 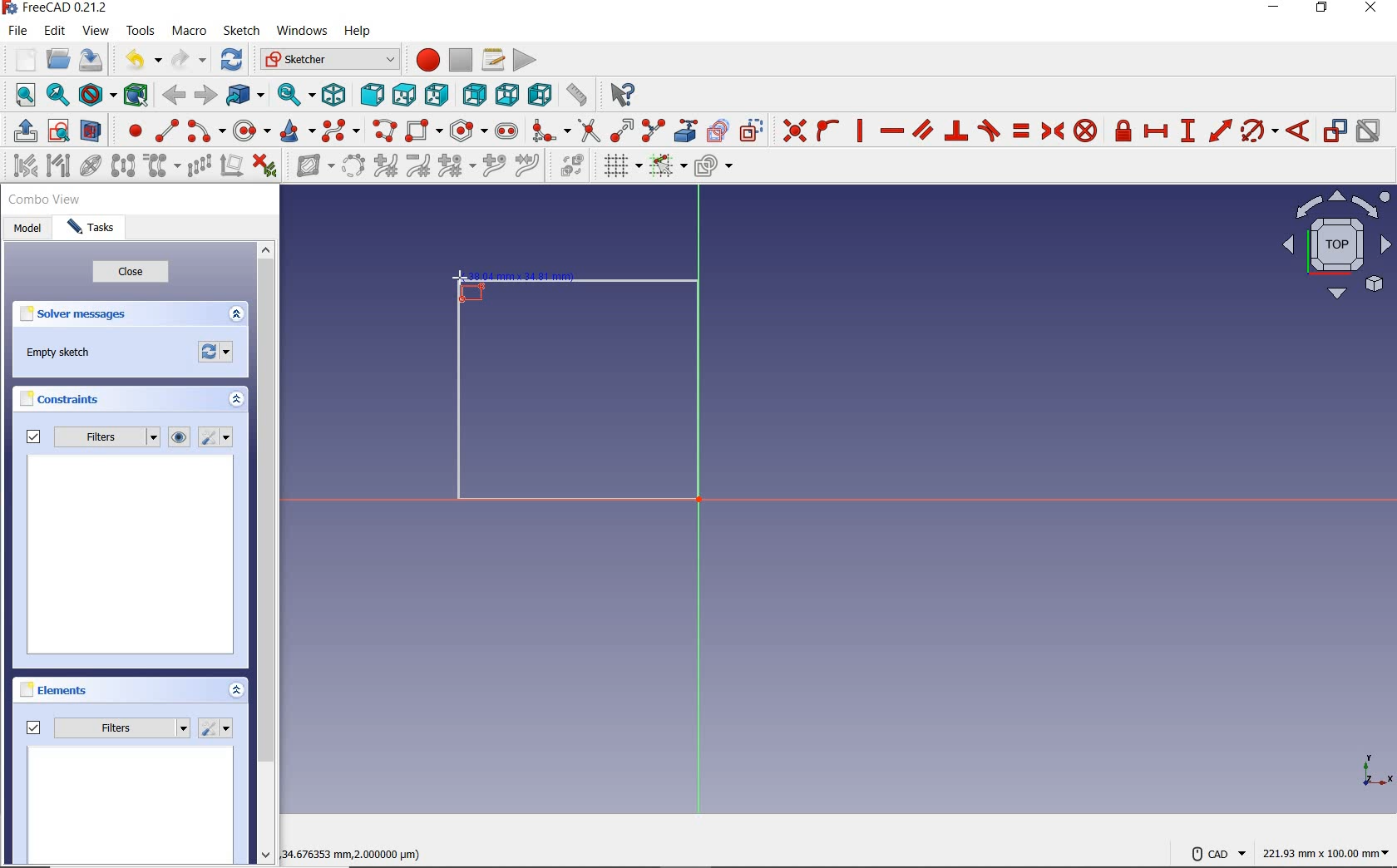 What do you see at coordinates (163, 166) in the screenshot?
I see `clone` at bounding box center [163, 166].